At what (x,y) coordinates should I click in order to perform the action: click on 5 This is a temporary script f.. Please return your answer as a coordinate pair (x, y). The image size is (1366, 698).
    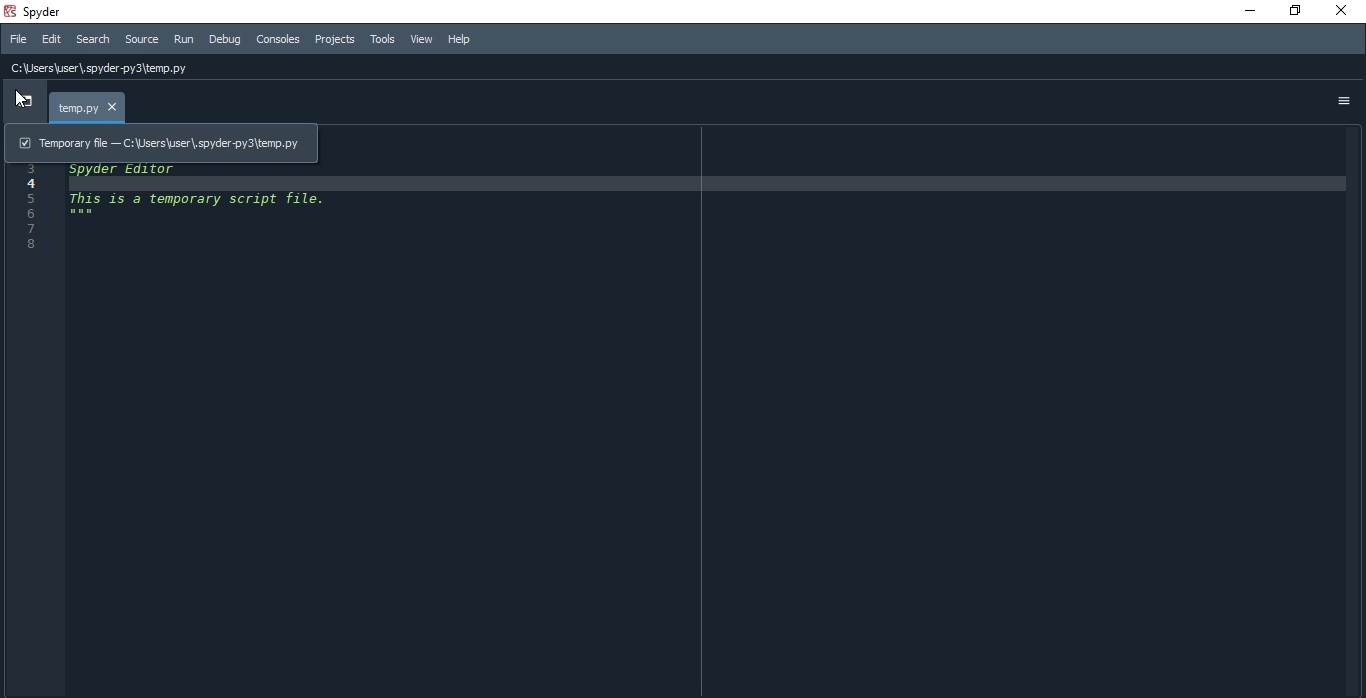
    Looking at the image, I should click on (173, 198).